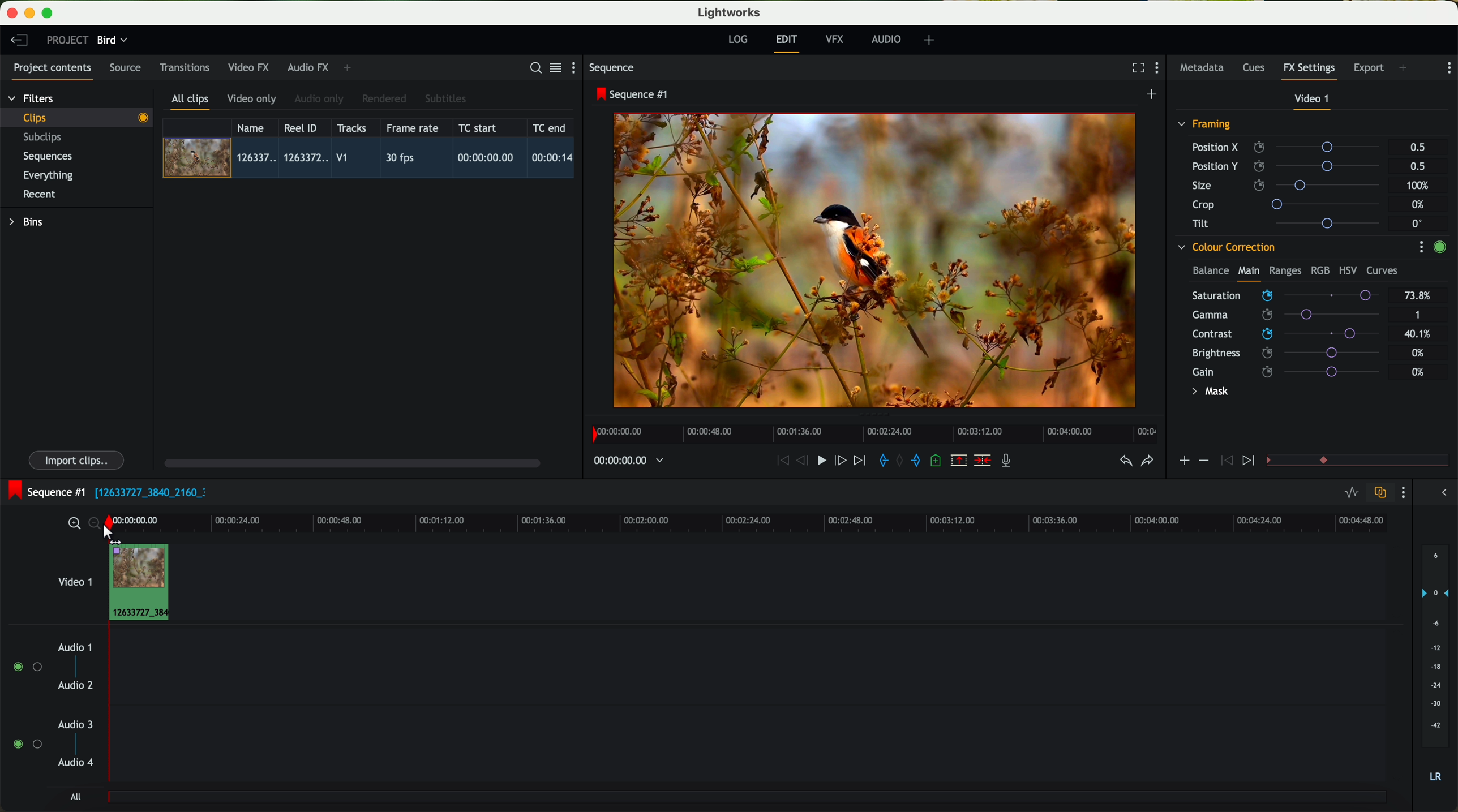 This screenshot has width=1458, height=812. What do you see at coordinates (1285, 270) in the screenshot?
I see `ranges` at bounding box center [1285, 270].